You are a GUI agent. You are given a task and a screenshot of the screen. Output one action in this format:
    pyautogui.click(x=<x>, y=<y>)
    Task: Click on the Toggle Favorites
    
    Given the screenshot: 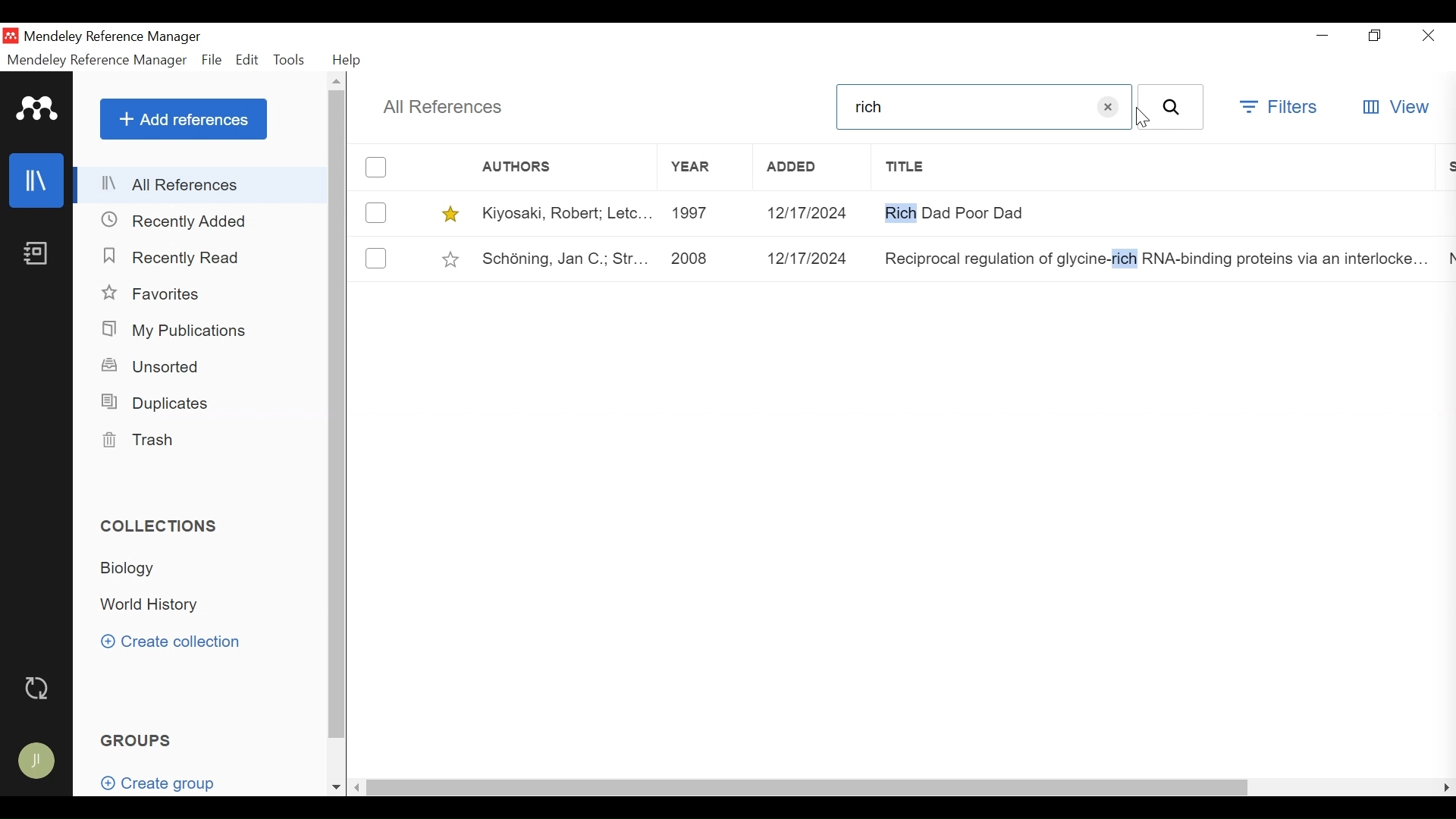 What is the action you would take?
    pyautogui.click(x=450, y=213)
    